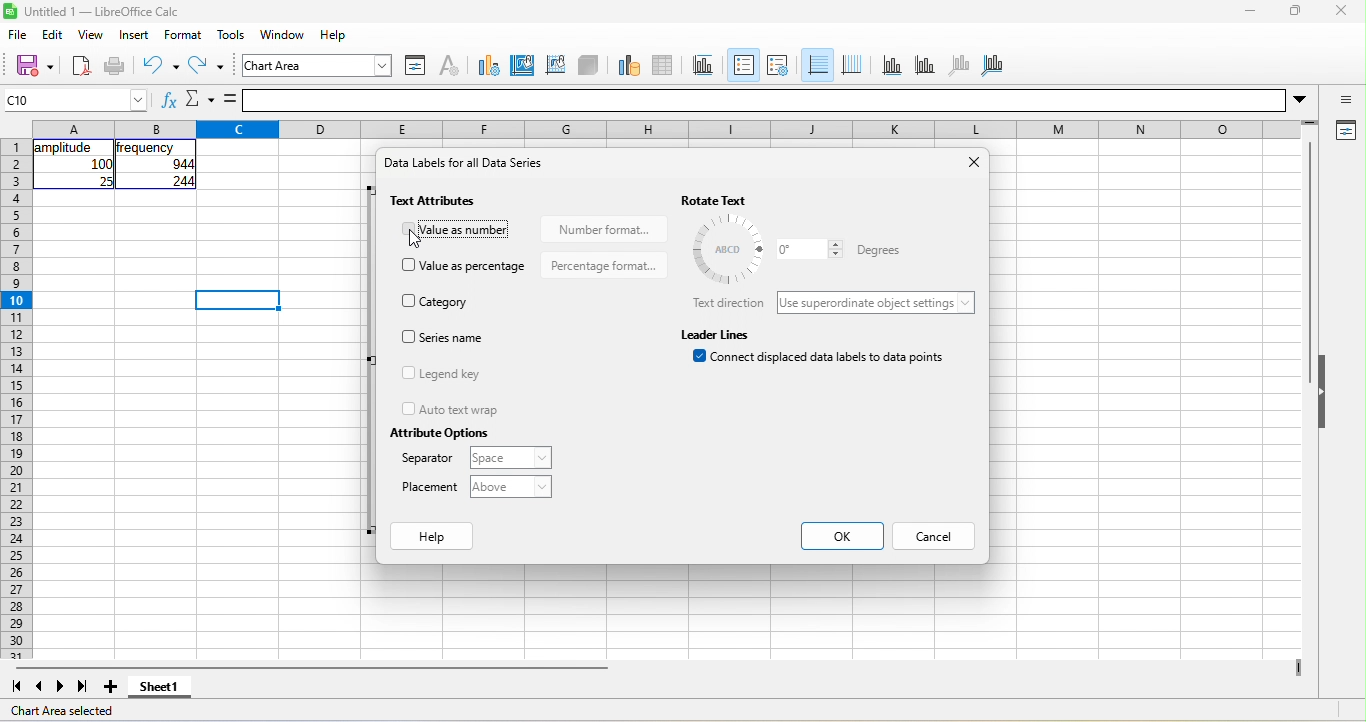 Image resolution: width=1366 pixels, height=722 pixels. What do you see at coordinates (523, 63) in the screenshot?
I see `chart area` at bounding box center [523, 63].